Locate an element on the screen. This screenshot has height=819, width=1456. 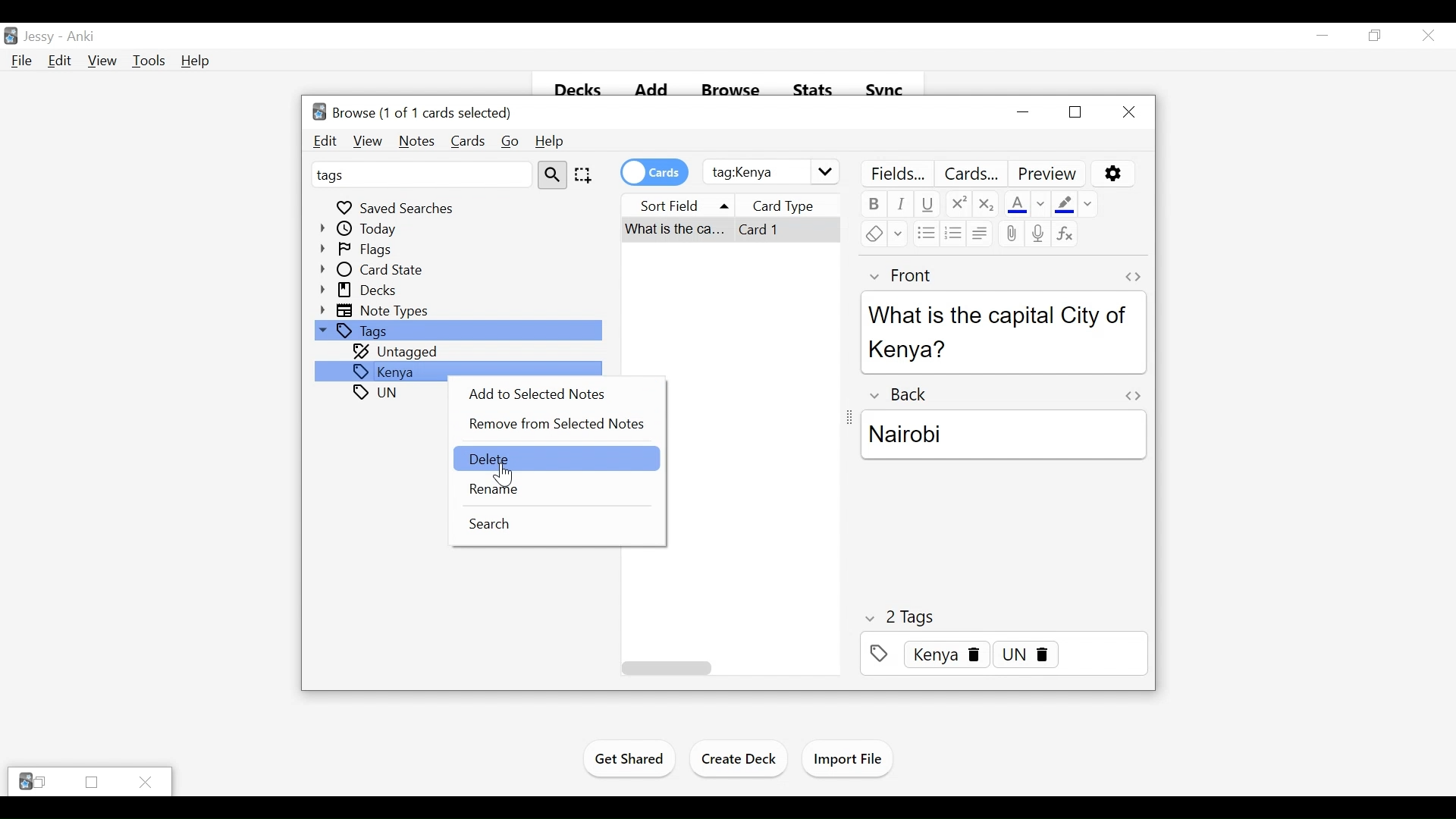
Create Deck is located at coordinates (740, 758).